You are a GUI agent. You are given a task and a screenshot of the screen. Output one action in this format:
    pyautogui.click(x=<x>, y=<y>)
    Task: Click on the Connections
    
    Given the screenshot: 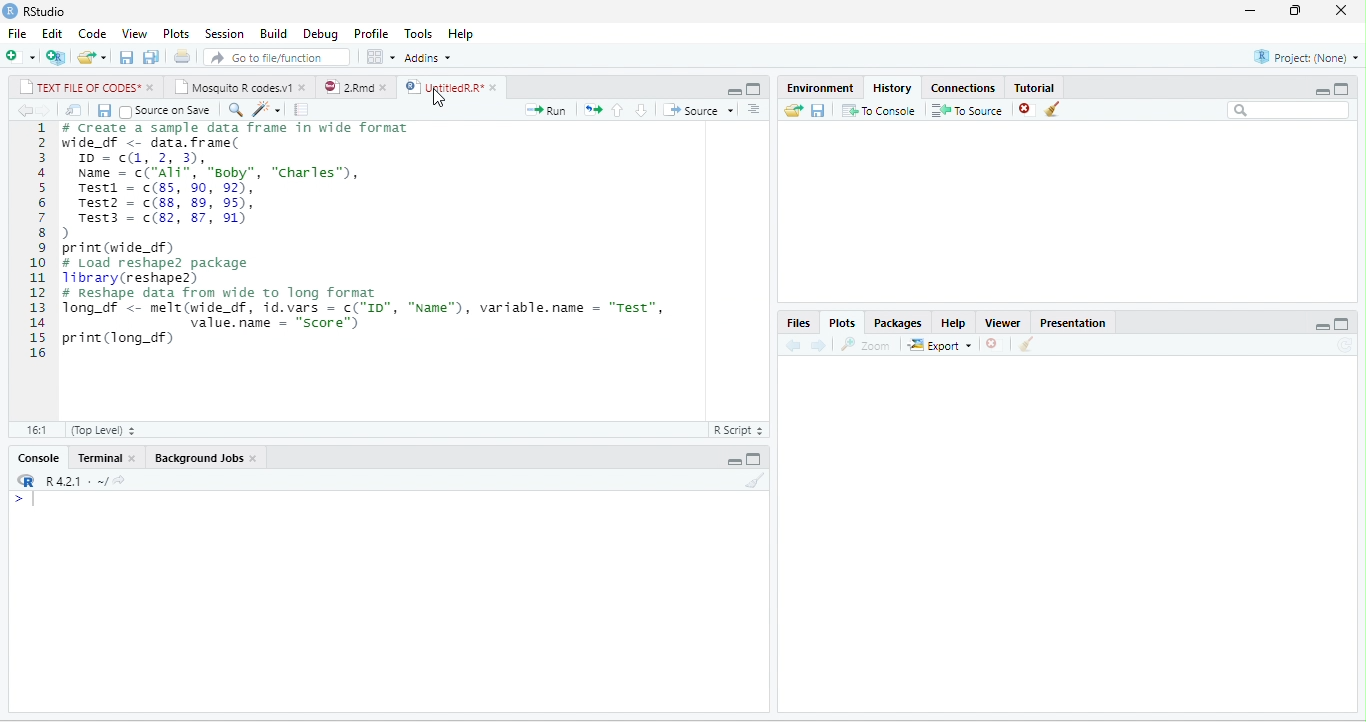 What is the action you would take?
    pyautogui.click(x=963, y=88)
    